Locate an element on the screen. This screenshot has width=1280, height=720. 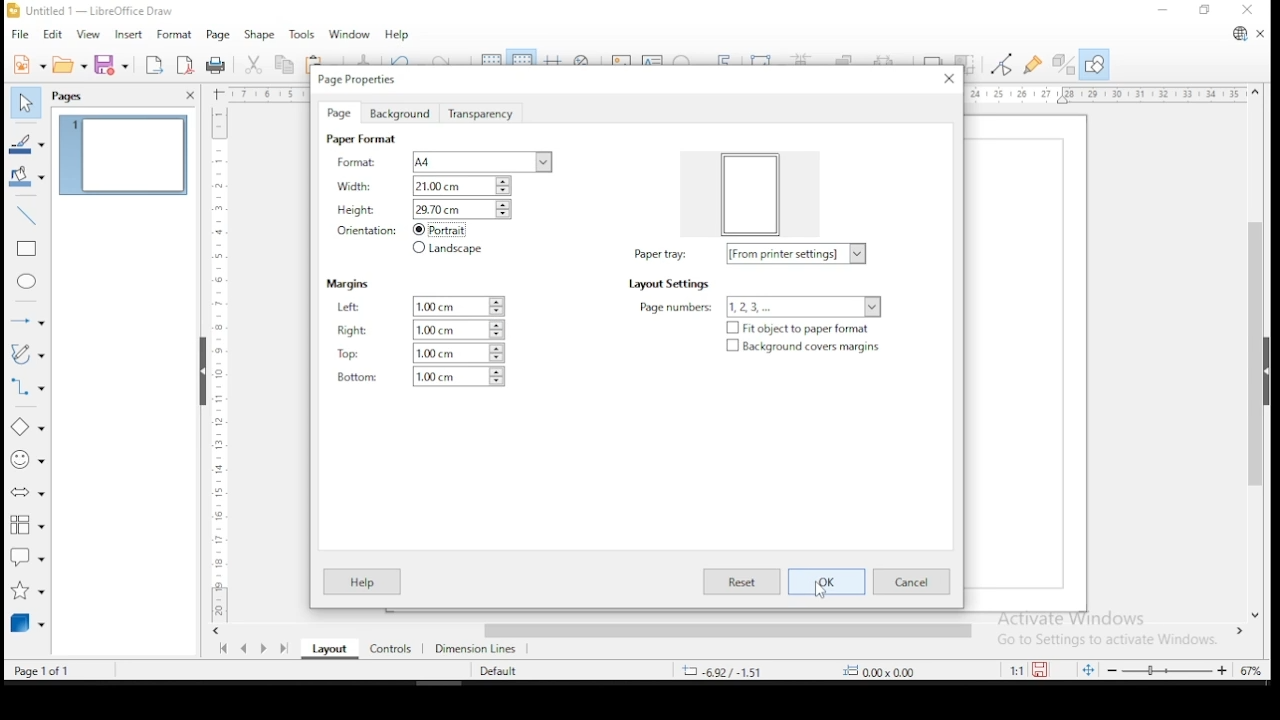
Default is located at coordinates (506, 670).